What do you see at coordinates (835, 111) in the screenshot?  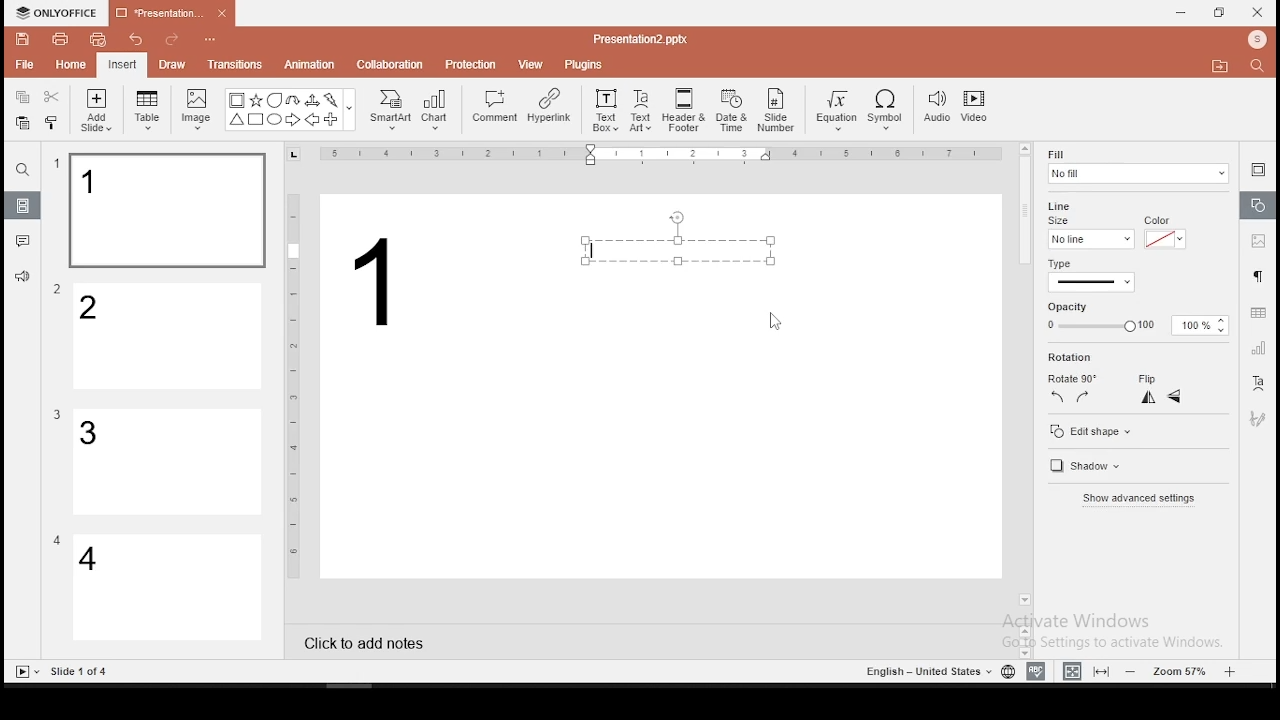 I see `equation` at bounding box center [835, 111].